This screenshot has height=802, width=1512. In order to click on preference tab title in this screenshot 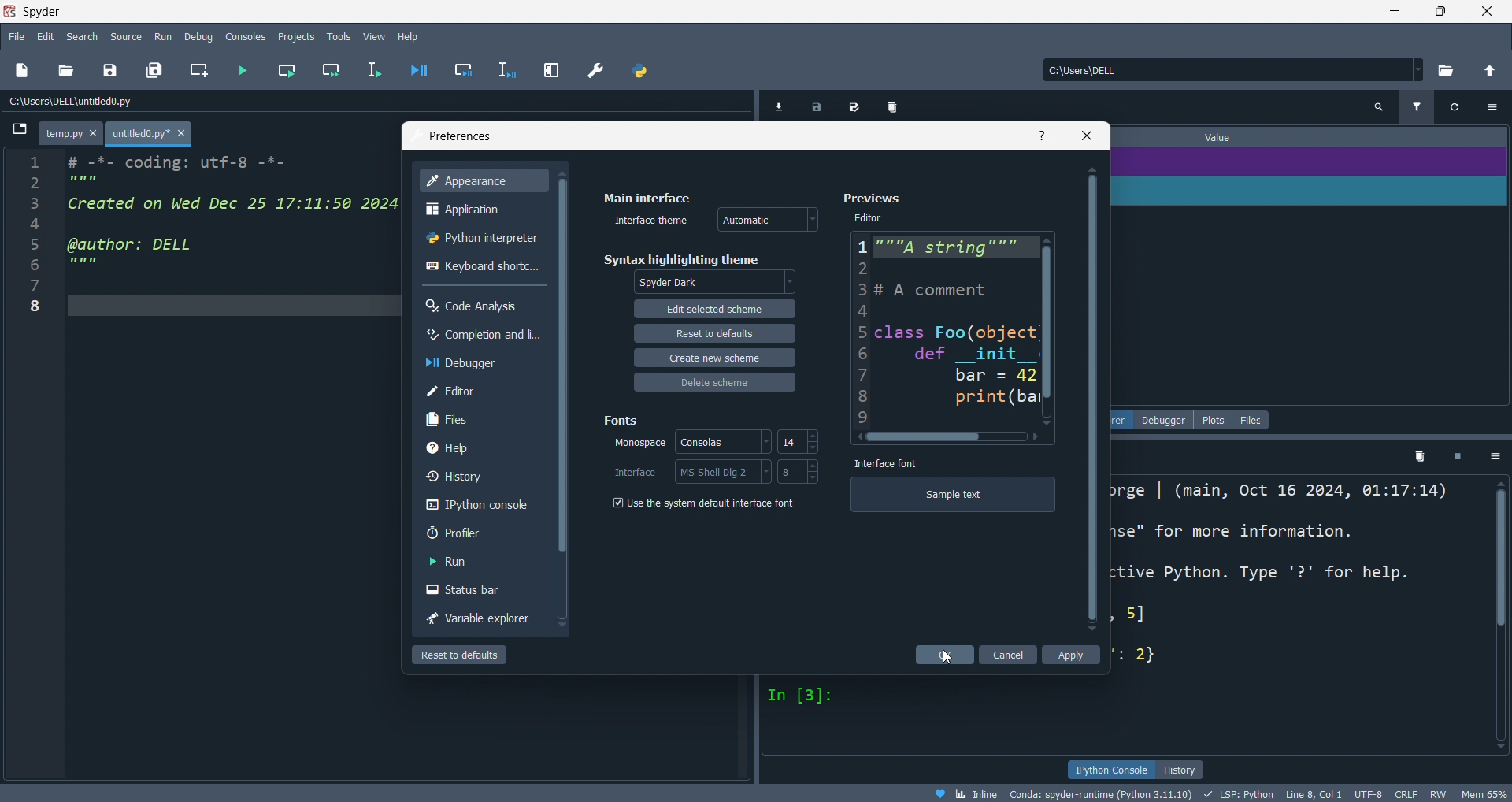, I will do `click(706, 136)`.